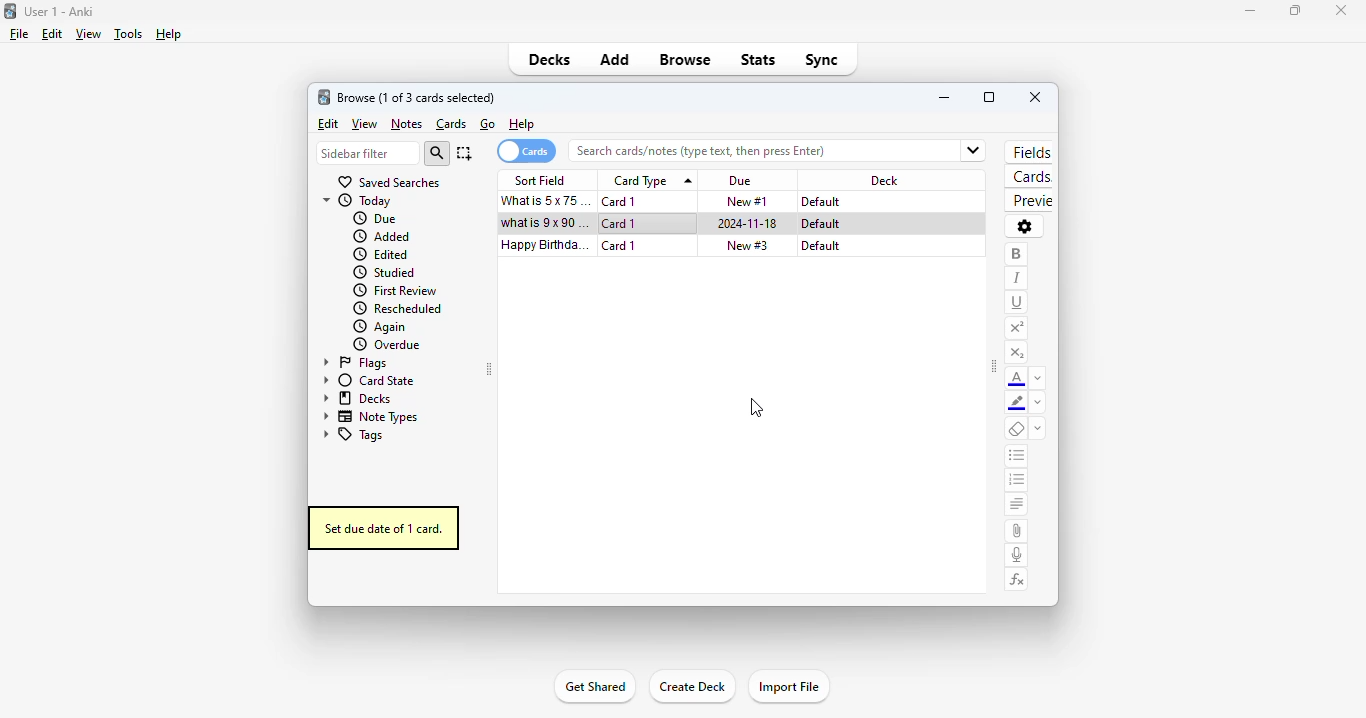  Describe the element at coordinates (1015, 278) in the screenshot. I see `italic` at that location.